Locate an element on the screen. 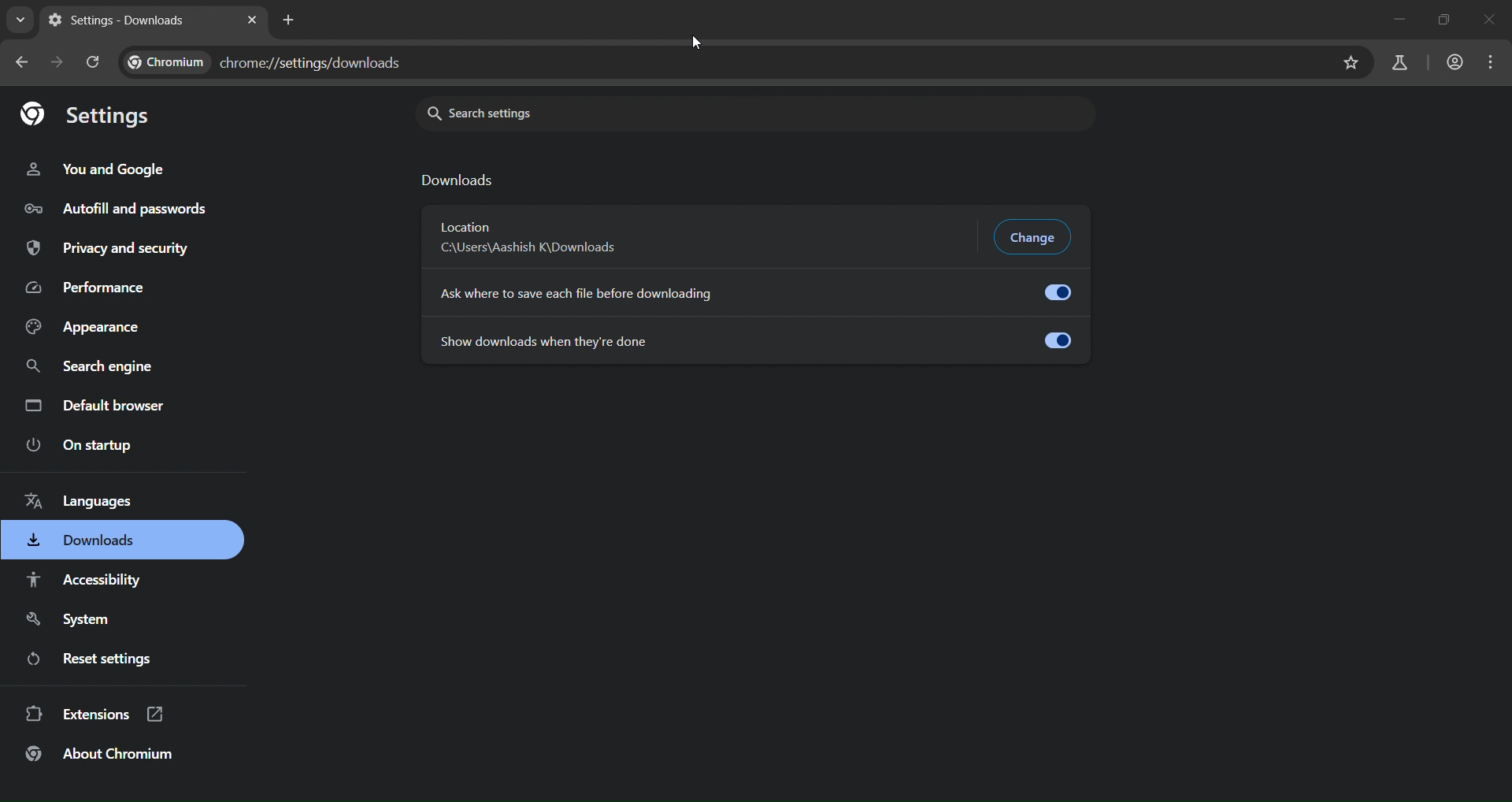 This screenshot has height=802, width=1512. restore down is located at coordinates (1440, 20).